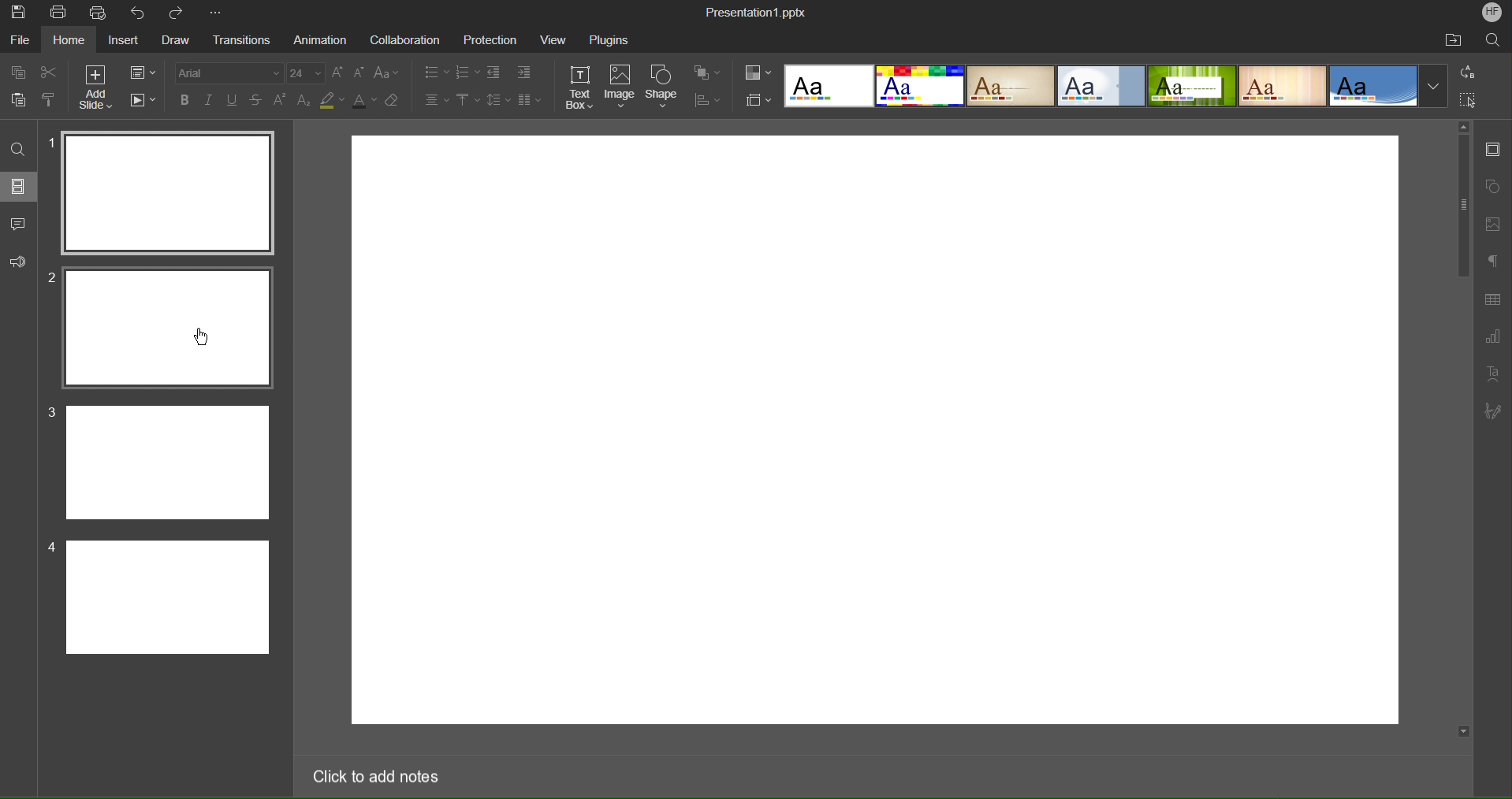 This screenshot has height=799, width=1512. What do you see at coordinates (332, 102) in the screenshot?
I see `highlight color` at bounding box center [332, 102].